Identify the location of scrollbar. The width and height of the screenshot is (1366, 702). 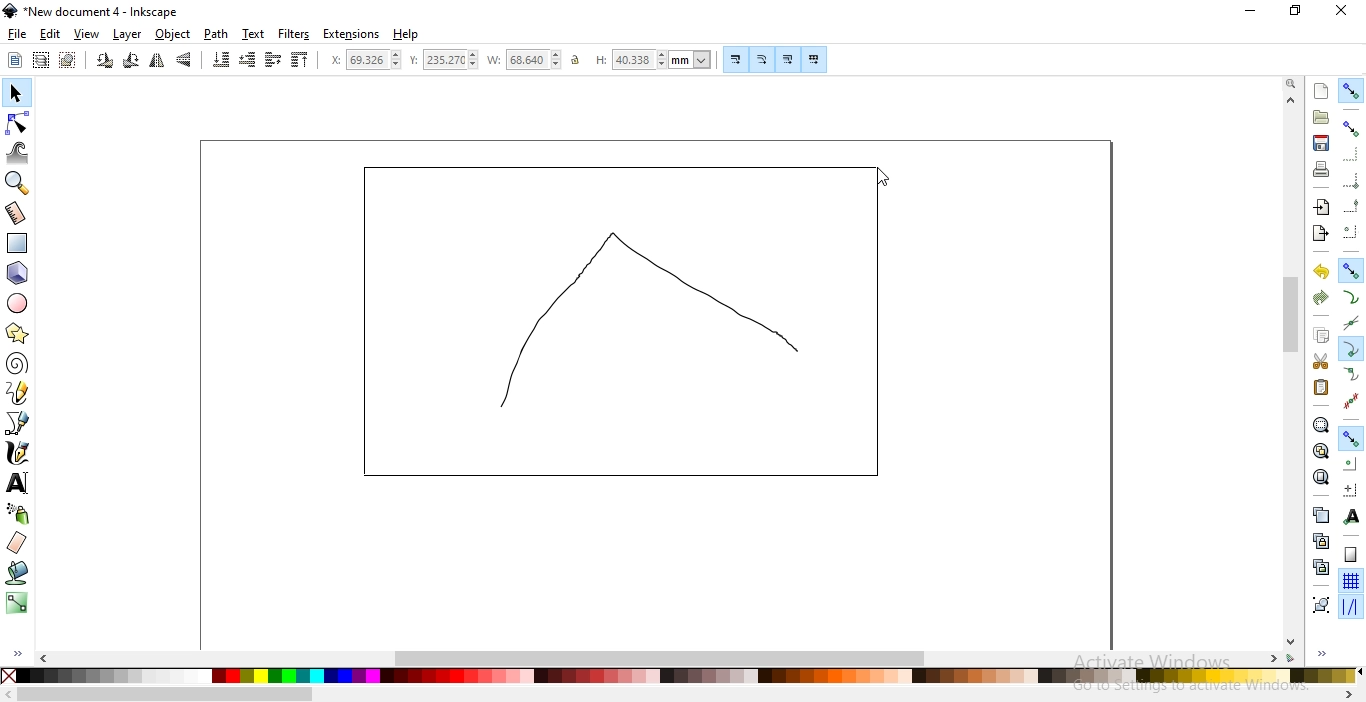
(663, 656).